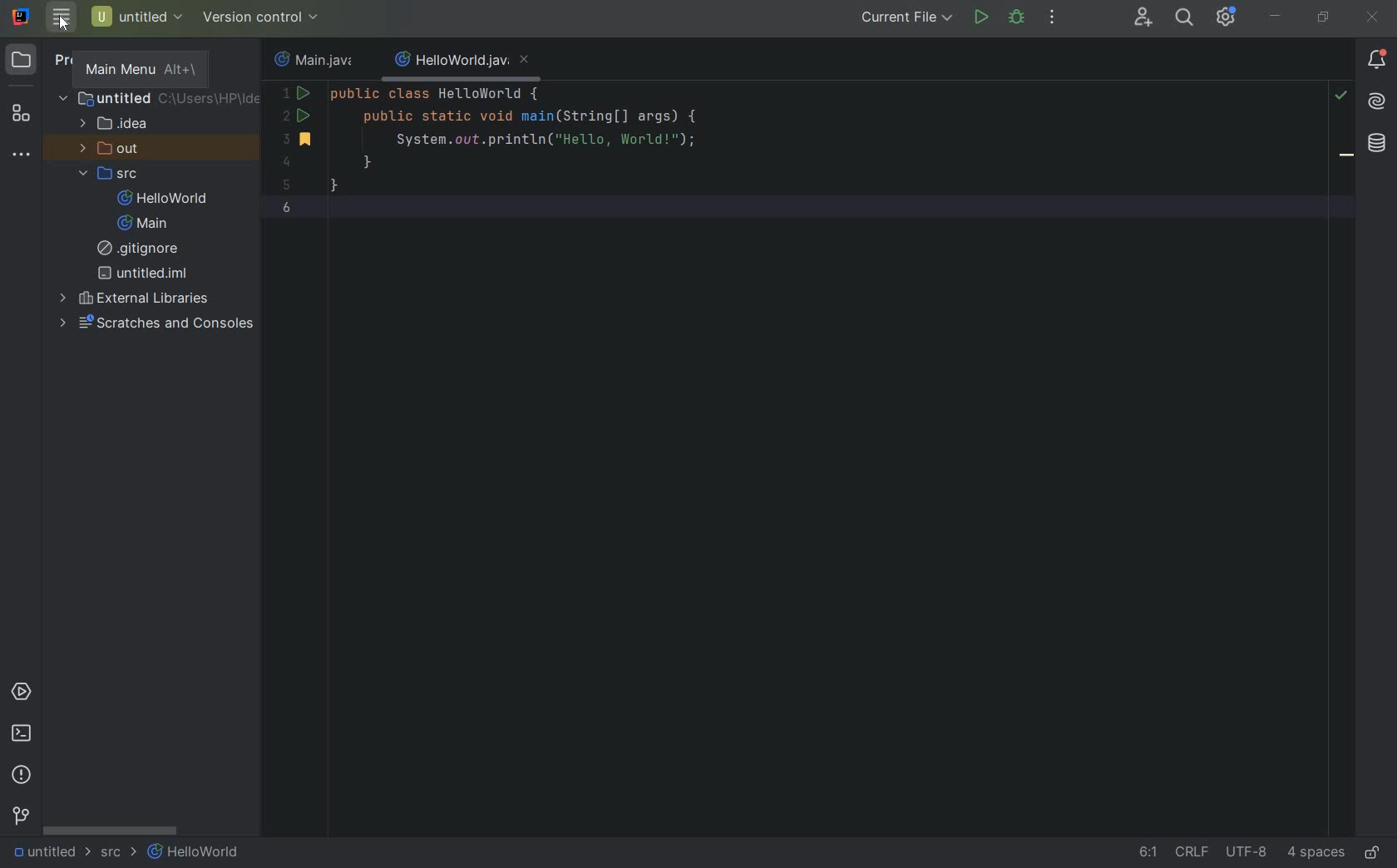  I want to click on TERMINAL, so click(20, 734).